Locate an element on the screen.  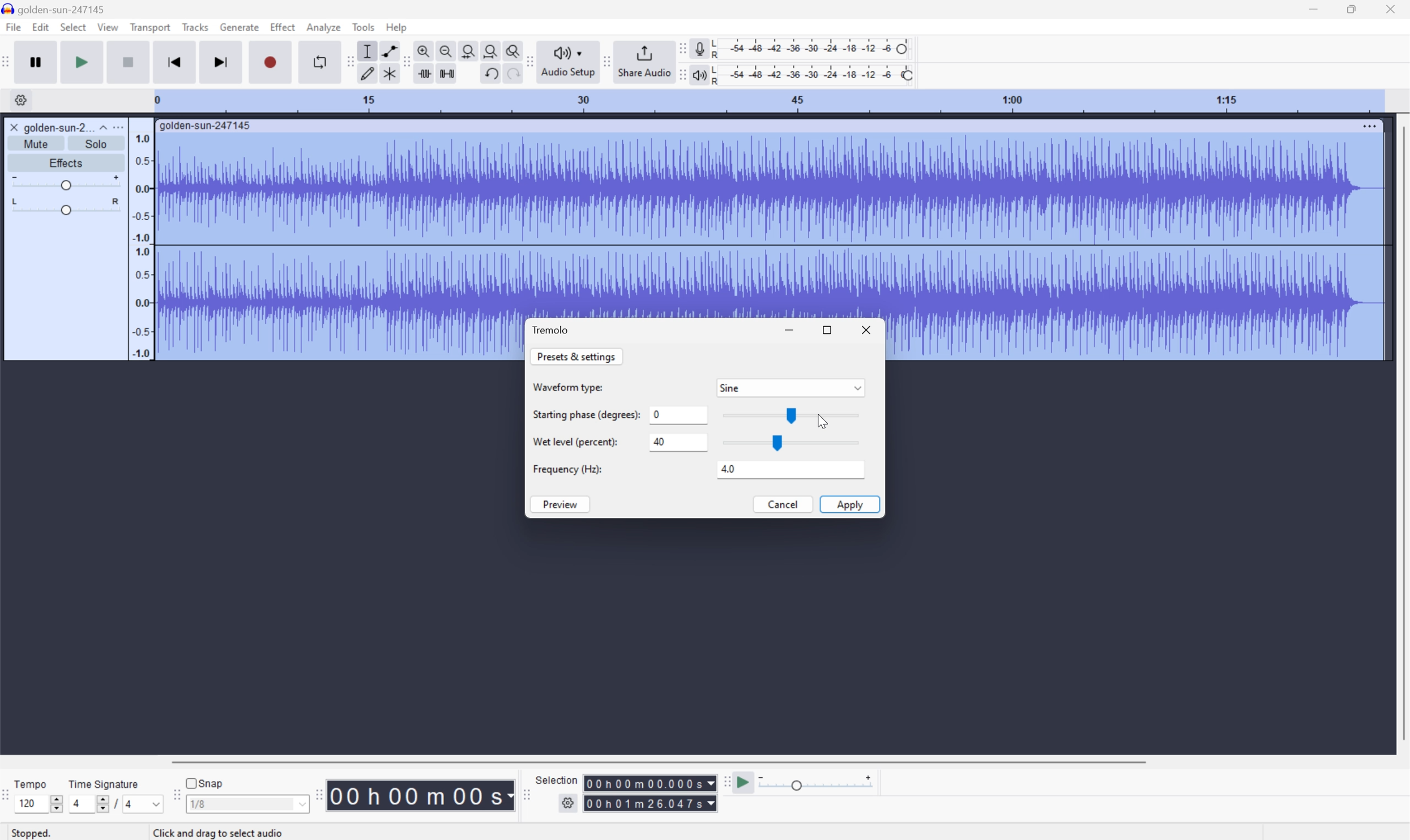
Audacity playback meter toolbar is located at coordinates (682, 74).